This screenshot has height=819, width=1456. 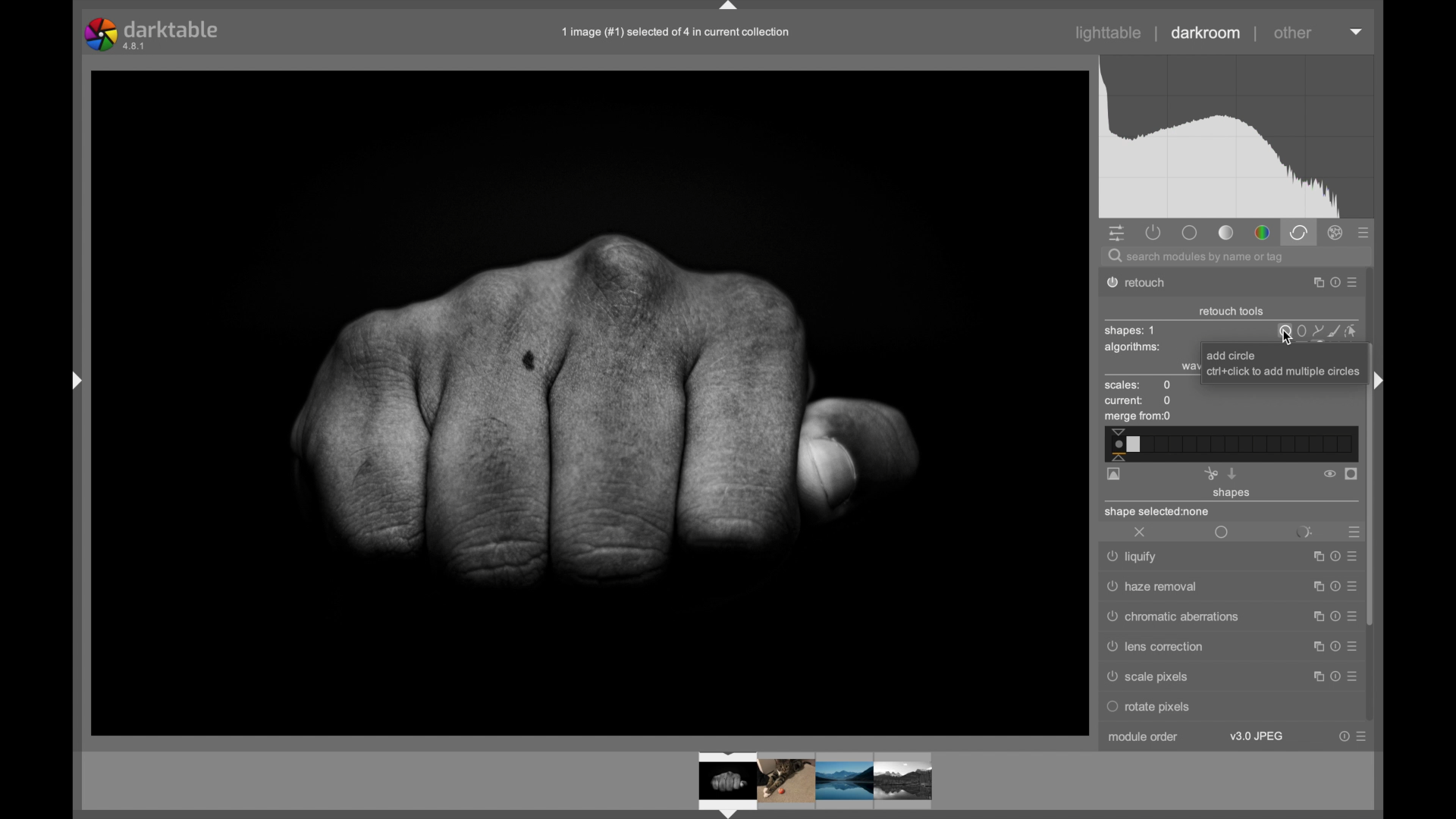 What do you see at coordinates (1236, 137) in the screenshot?
I see `histogram` at bounding box center [1236, 137].